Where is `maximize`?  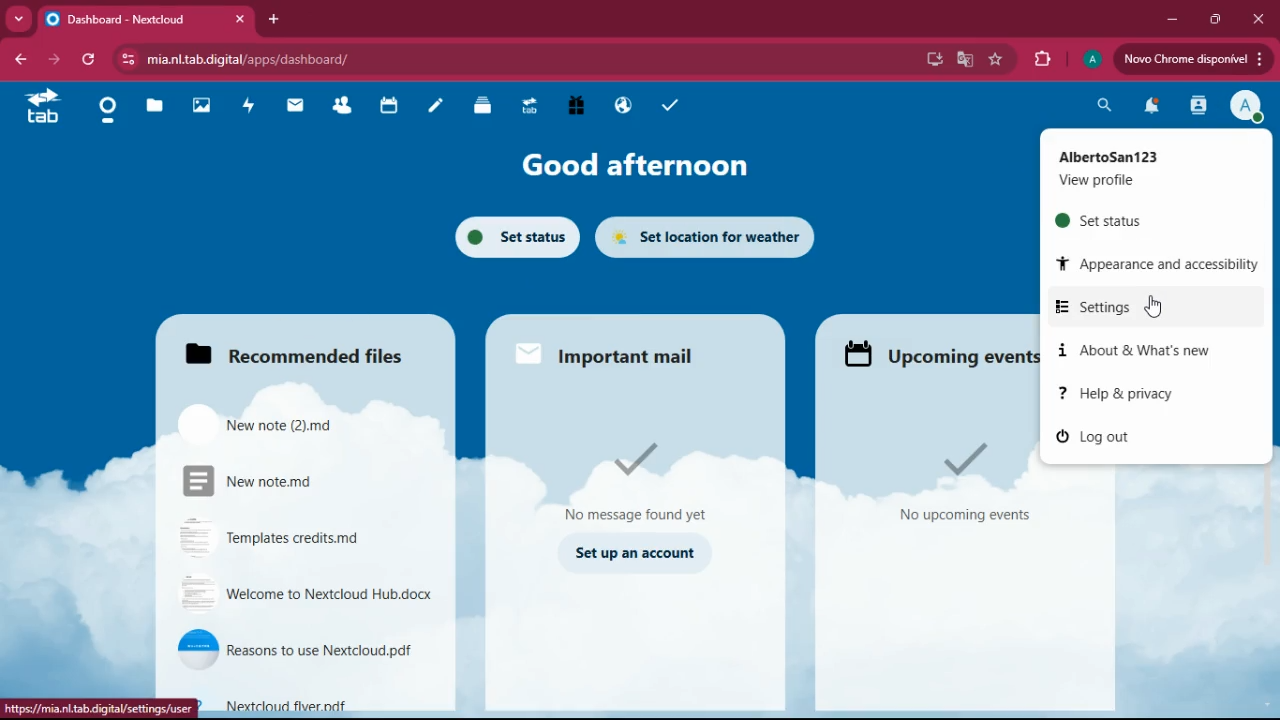 maximize is located at coordinates (1214, 20).